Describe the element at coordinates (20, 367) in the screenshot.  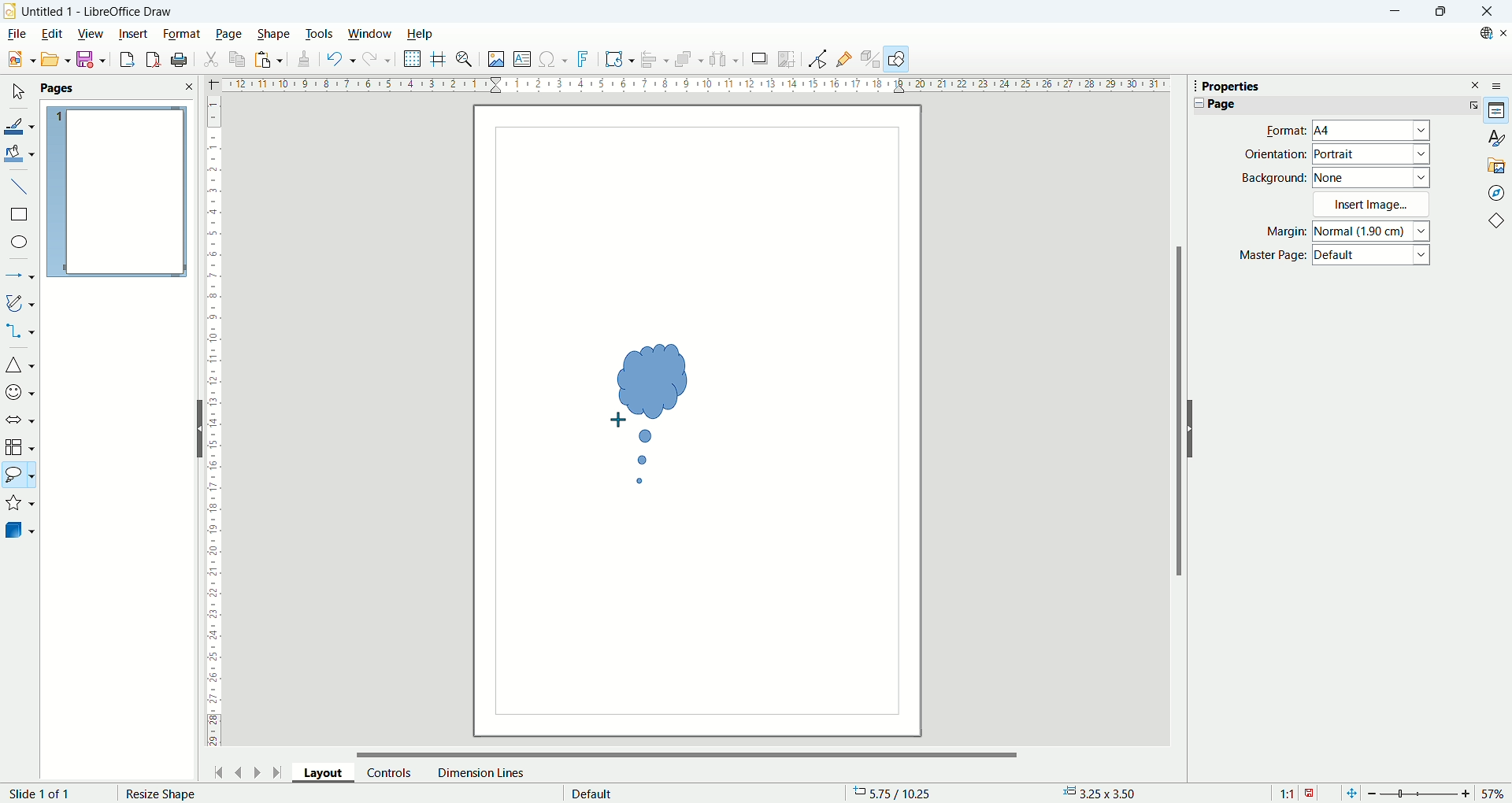
I see `basic shapes` at that location.